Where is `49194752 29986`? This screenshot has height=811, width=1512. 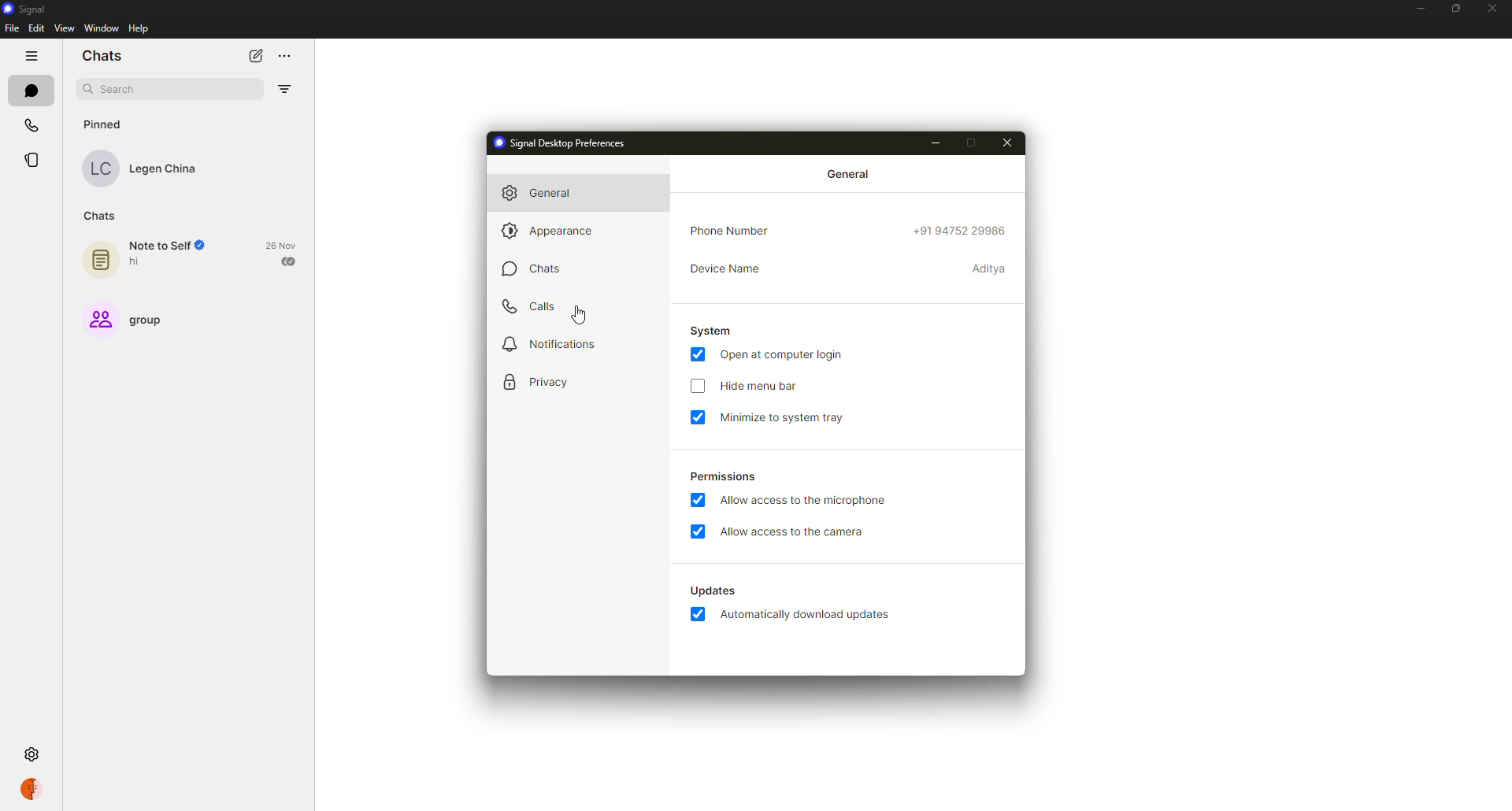 49194752 29986 is located at coordinates (962, 231).